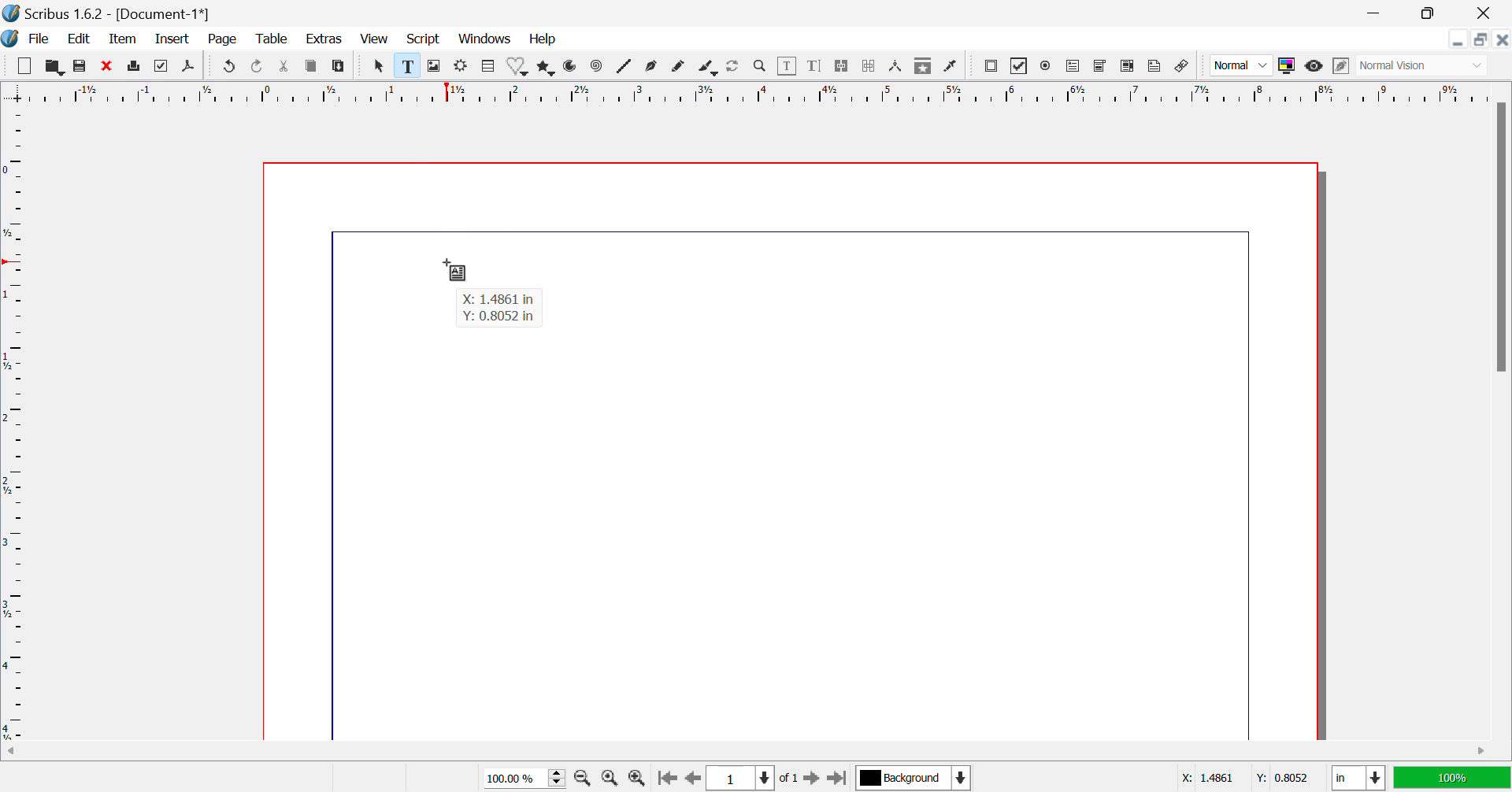 This screenshot has height=792, width=1512. I want to click on Edit, so click(81, 41).